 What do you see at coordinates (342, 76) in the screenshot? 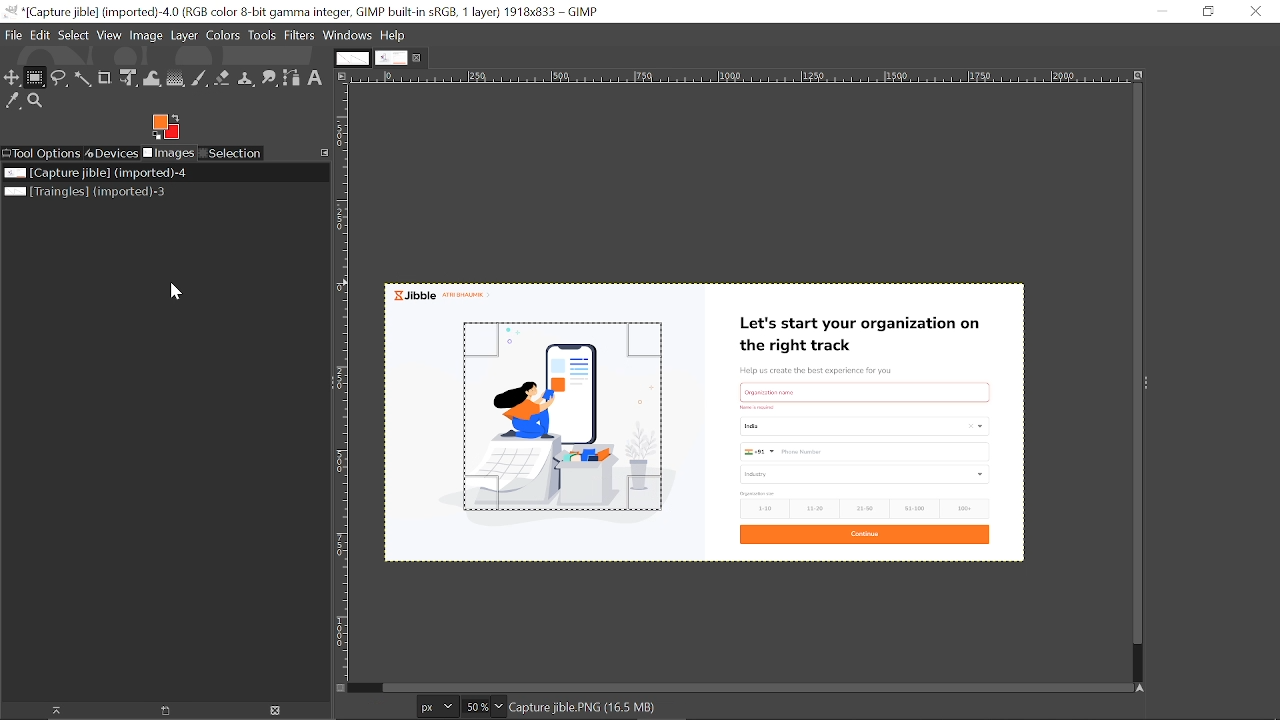
I see `Access this image menu` at bounding box center [342, 76].